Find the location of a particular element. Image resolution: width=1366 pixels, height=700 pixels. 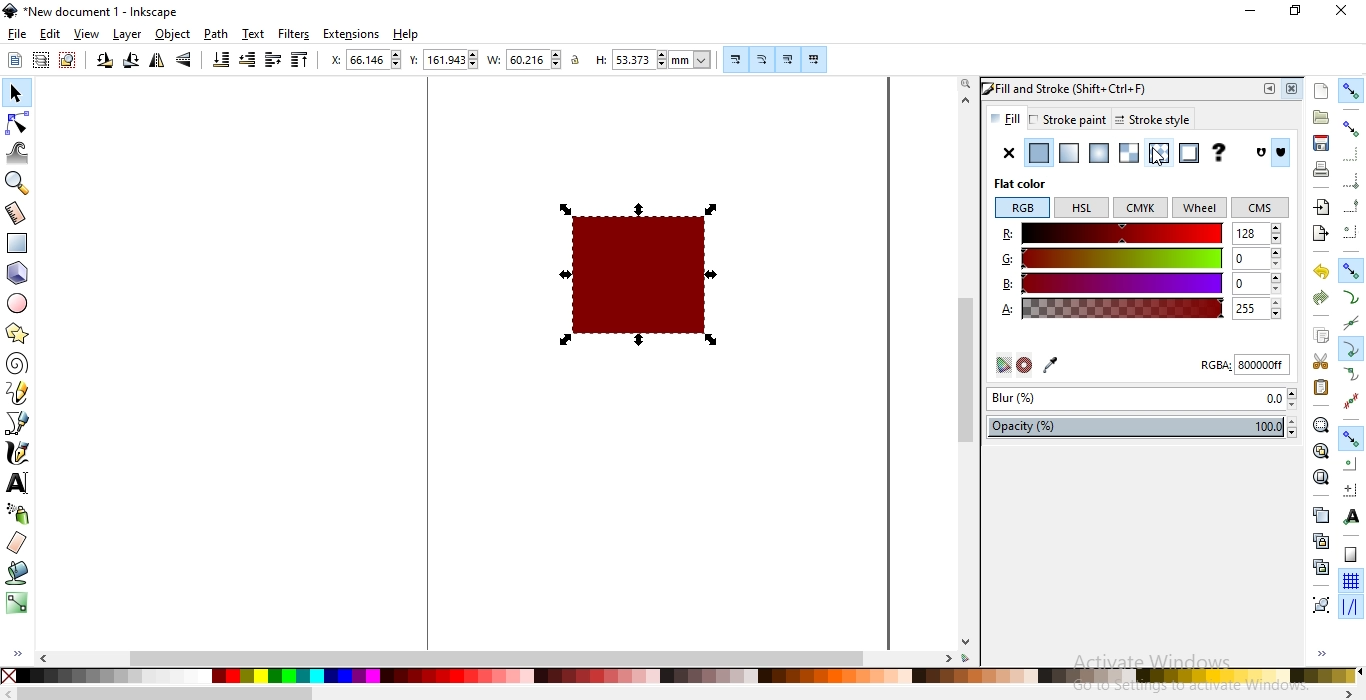

snap to path intersections is located at coordinates (1350, 324).